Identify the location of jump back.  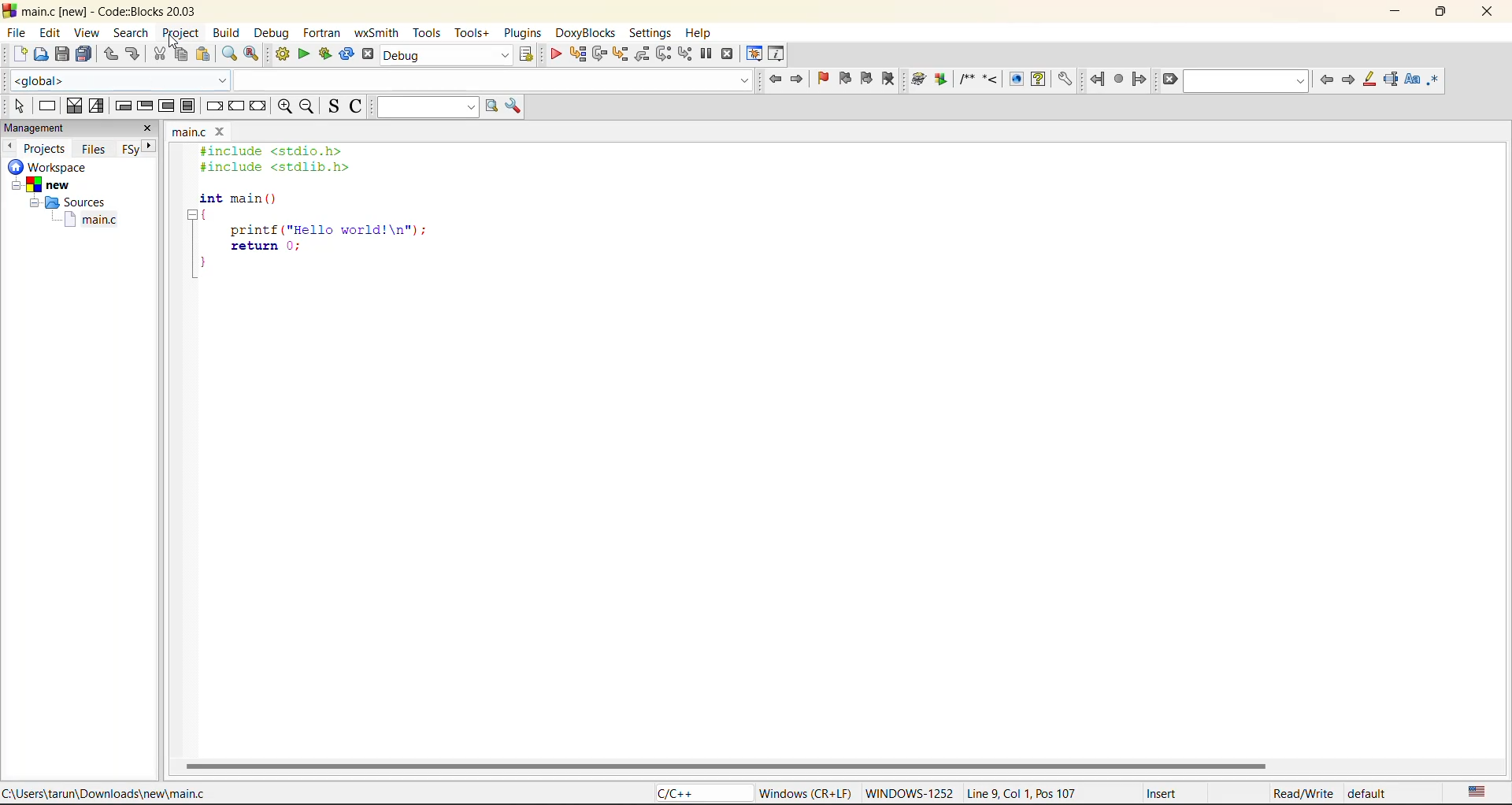
(774, 81).